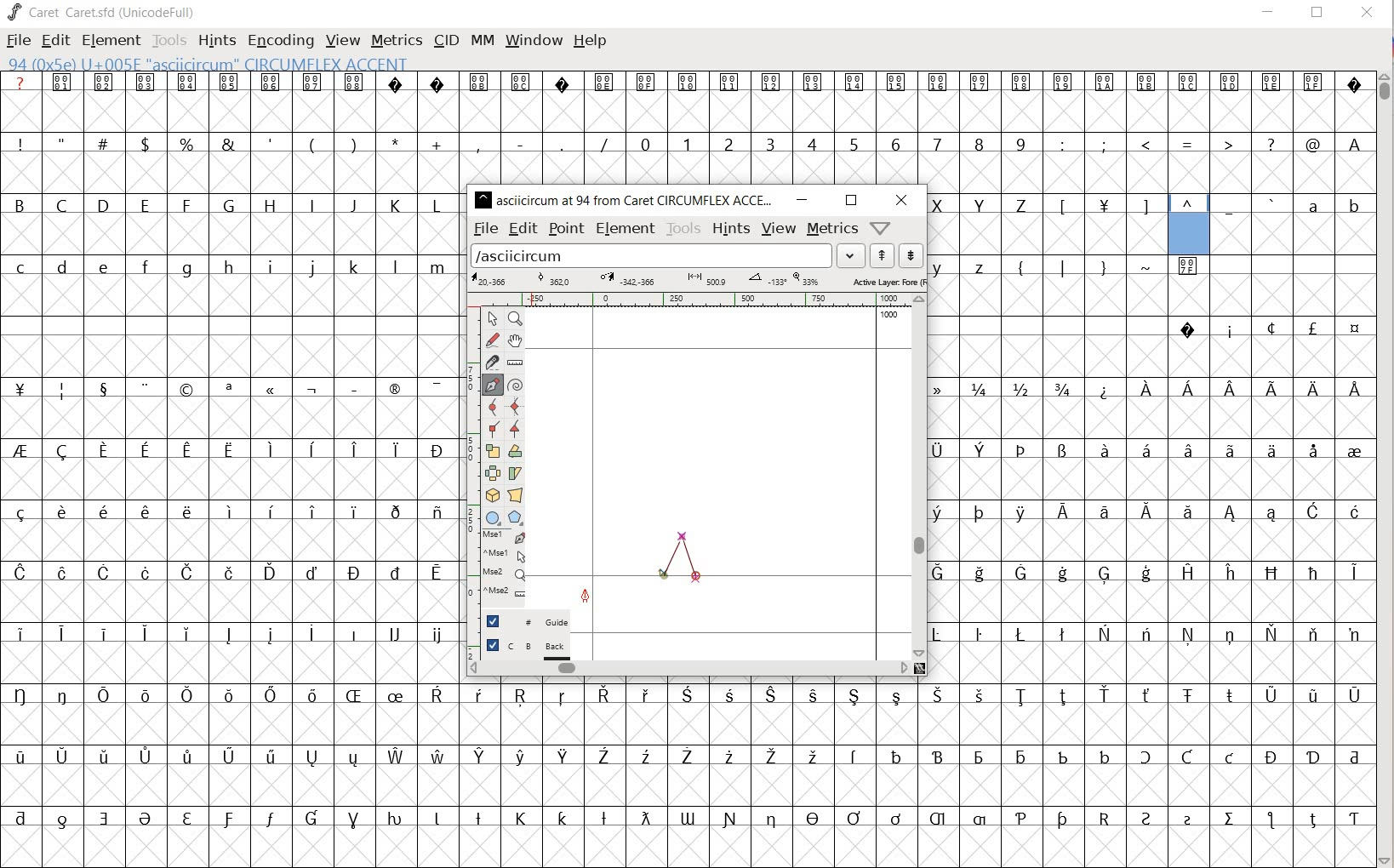 The height and width of the screenshot is (868, 1394). I want to click on scrollbar, so click(920, 477).